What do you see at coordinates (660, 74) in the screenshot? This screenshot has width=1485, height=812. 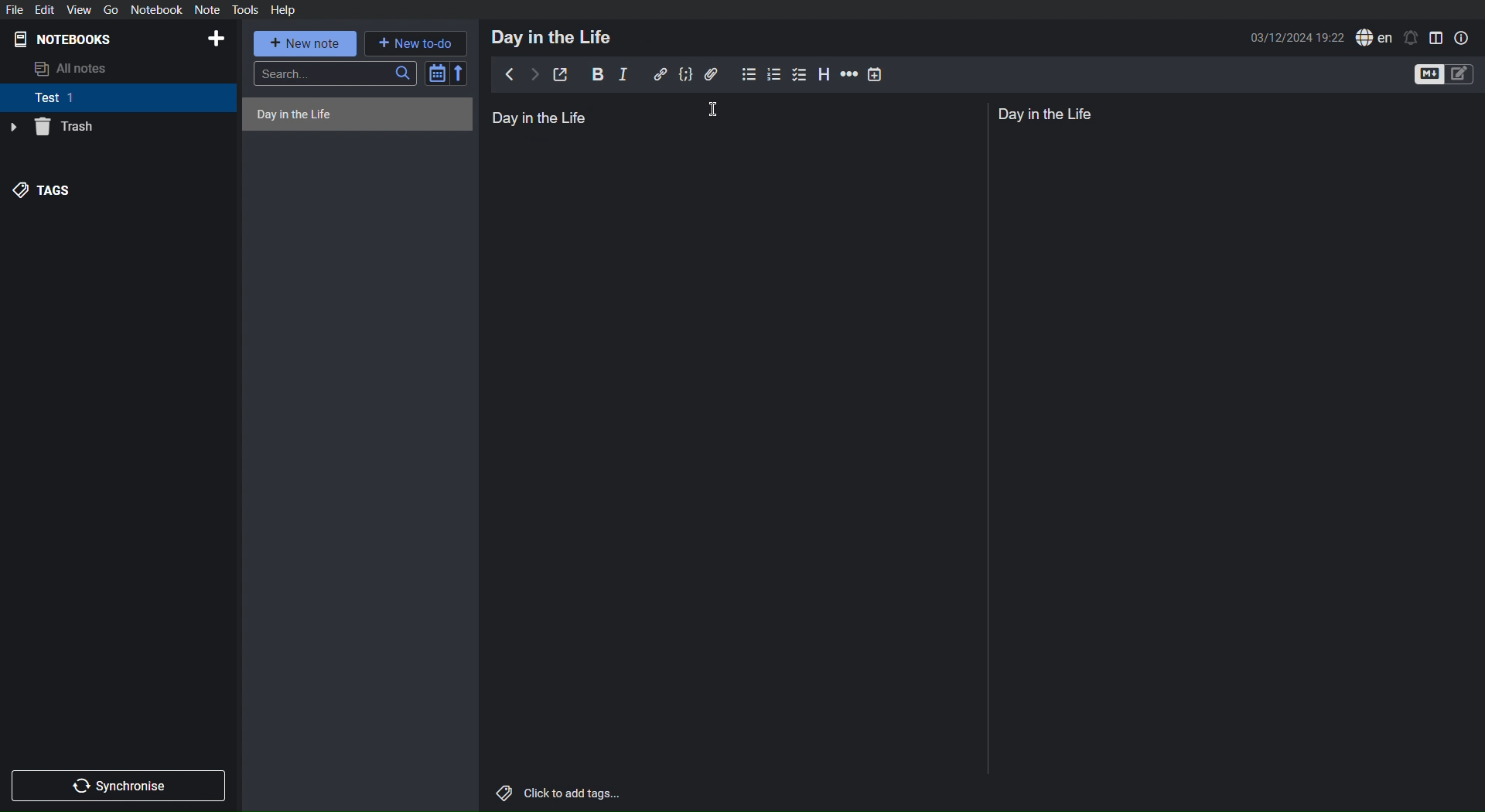 I see `Insert Link` at bounding box center [660, 74].